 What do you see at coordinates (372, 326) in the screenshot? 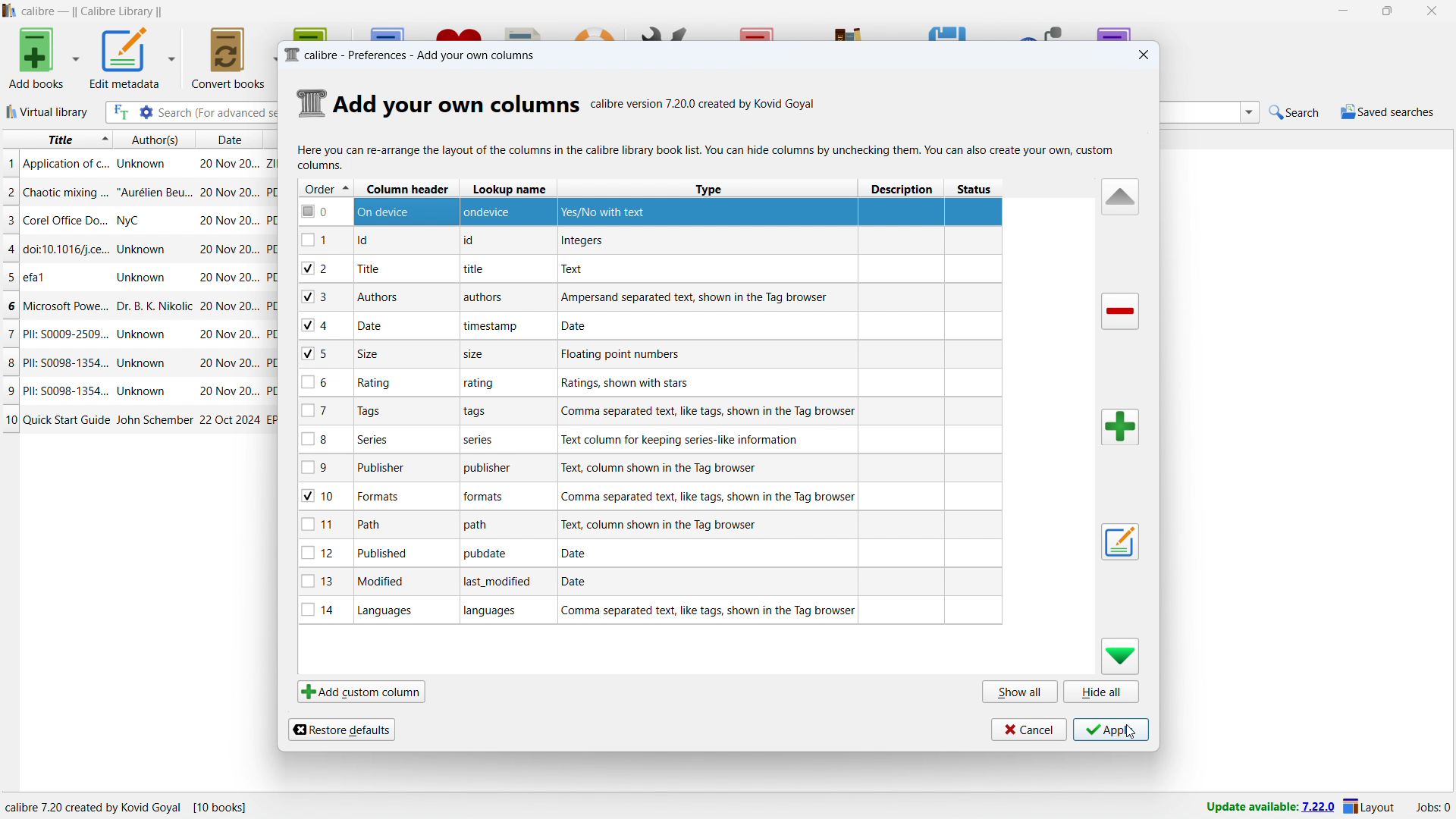
I see `date` at bounding box center [372, 326].